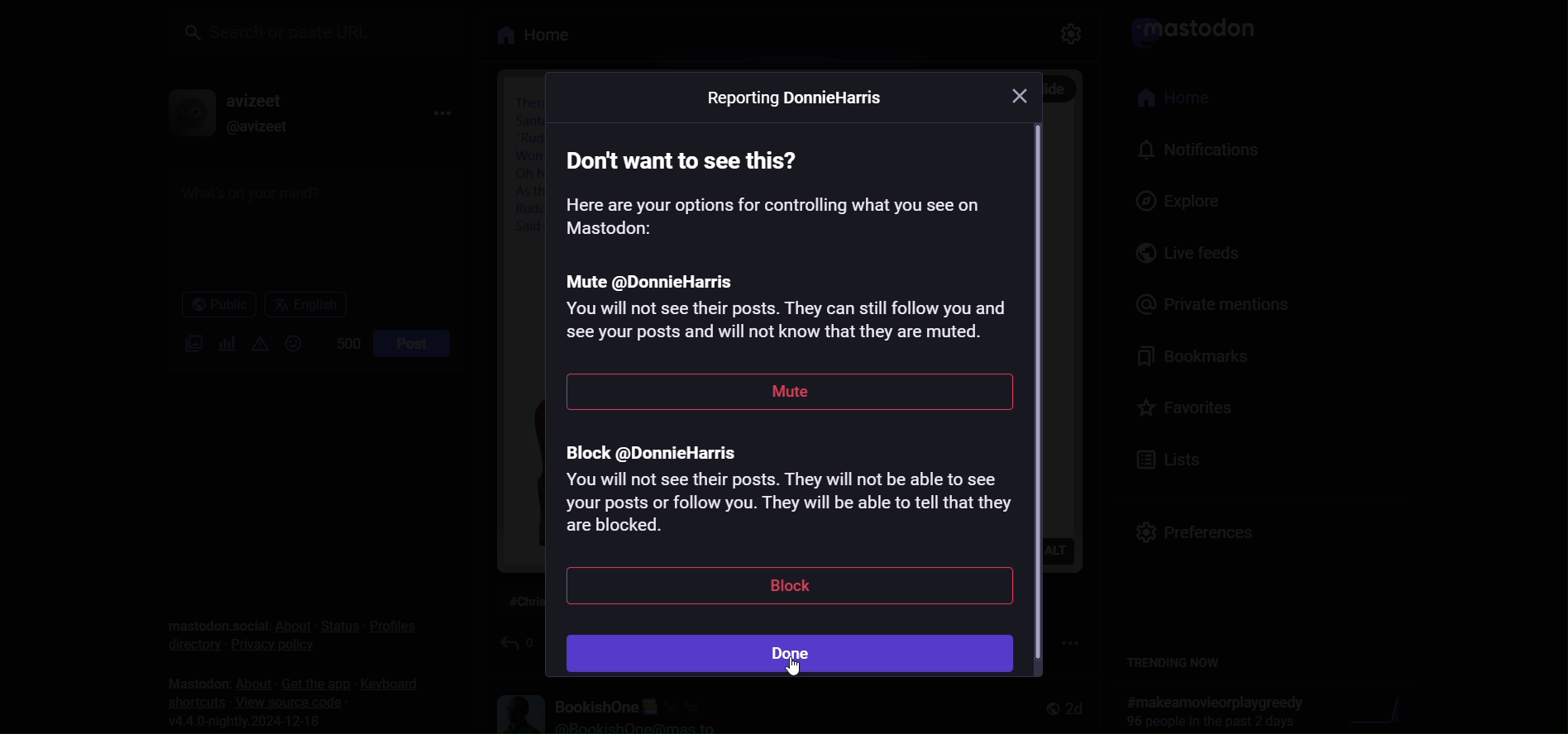 Image resolution: width=1568 pixels, height=734 pixels. Describe the element at coordinates (1178, 663) in the screenshot. I see `trending now` at that location.